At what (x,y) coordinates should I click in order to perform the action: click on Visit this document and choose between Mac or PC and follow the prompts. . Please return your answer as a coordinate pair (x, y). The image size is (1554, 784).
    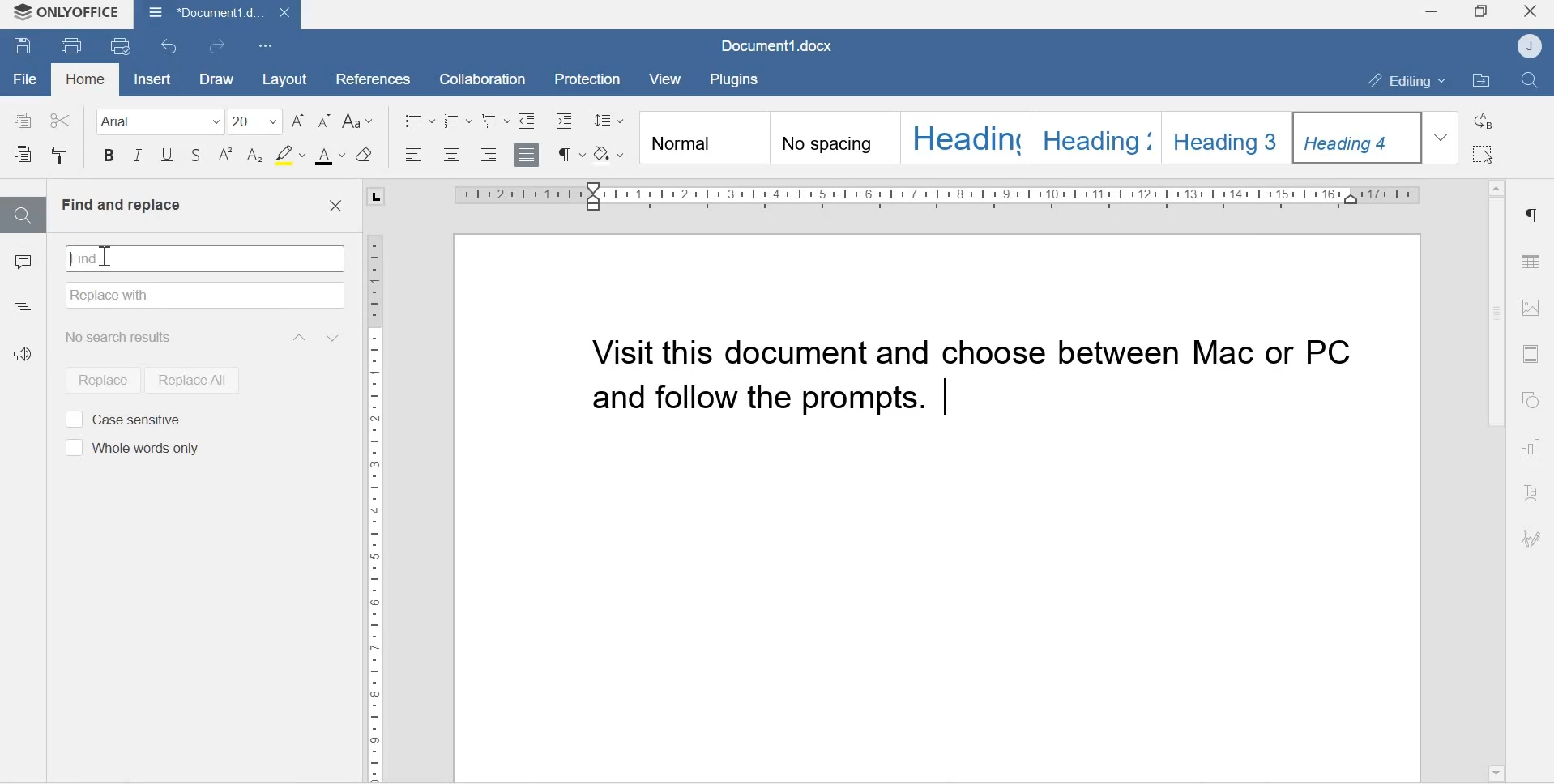
    Looking at the image, I should click on (980, 378).